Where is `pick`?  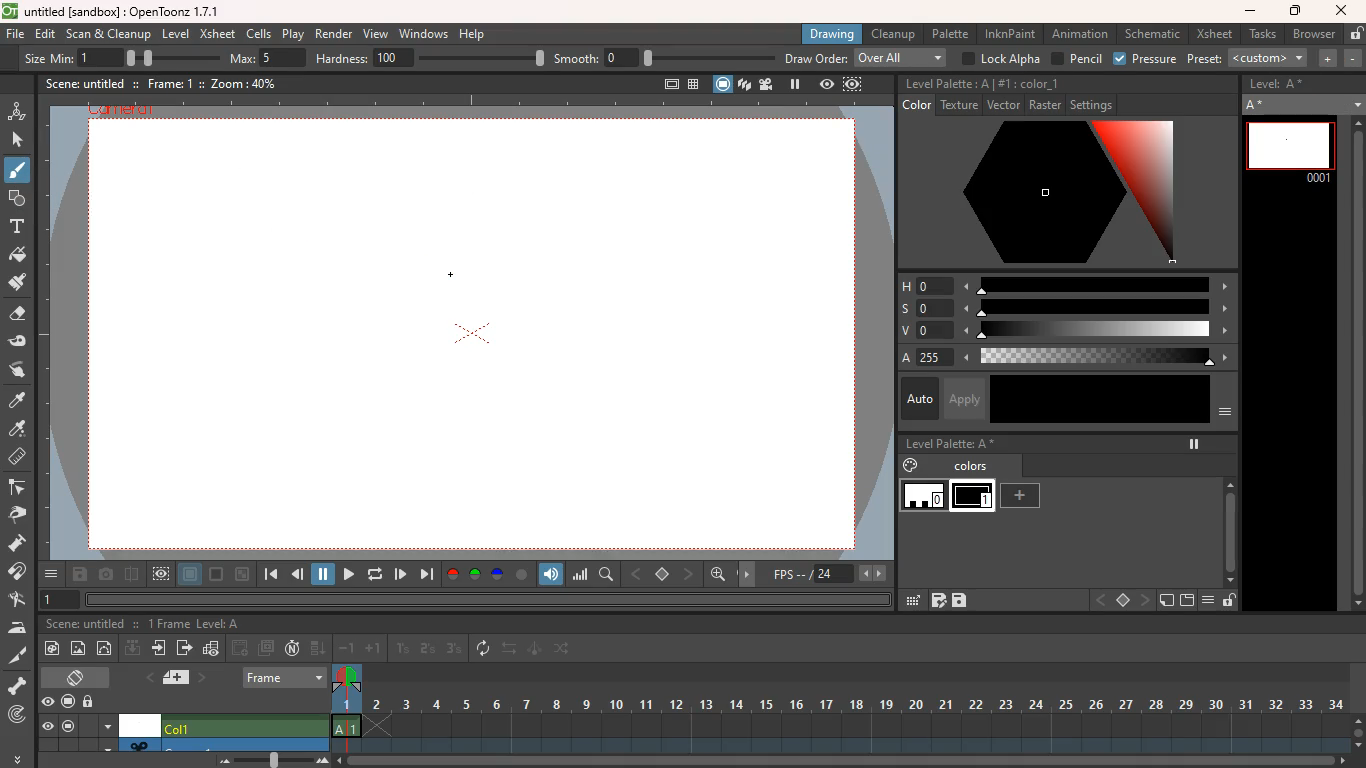 pick is located at coordinates (23, 515).